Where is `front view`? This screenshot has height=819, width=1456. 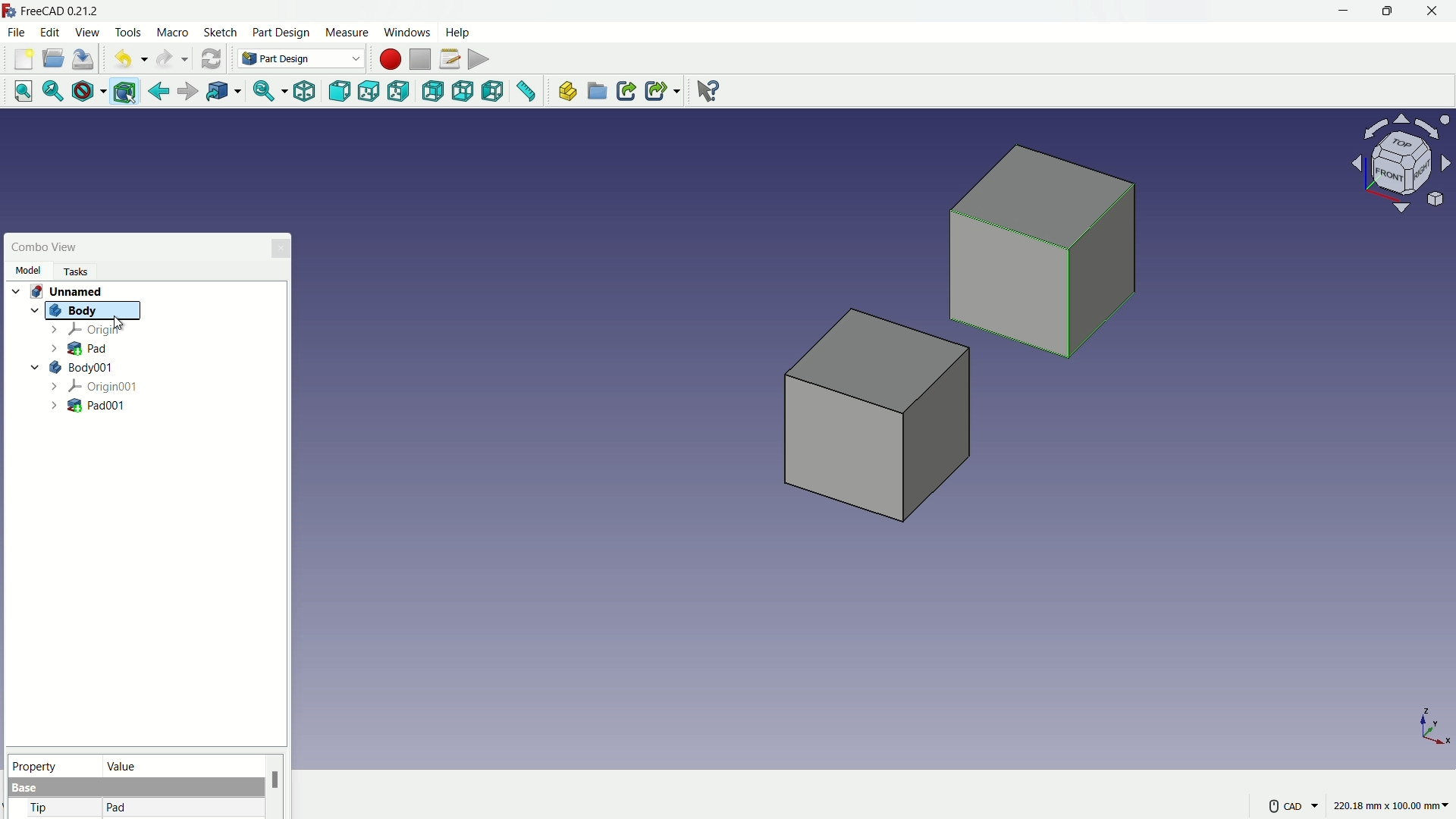 front view is located at coordinates (341, 92).